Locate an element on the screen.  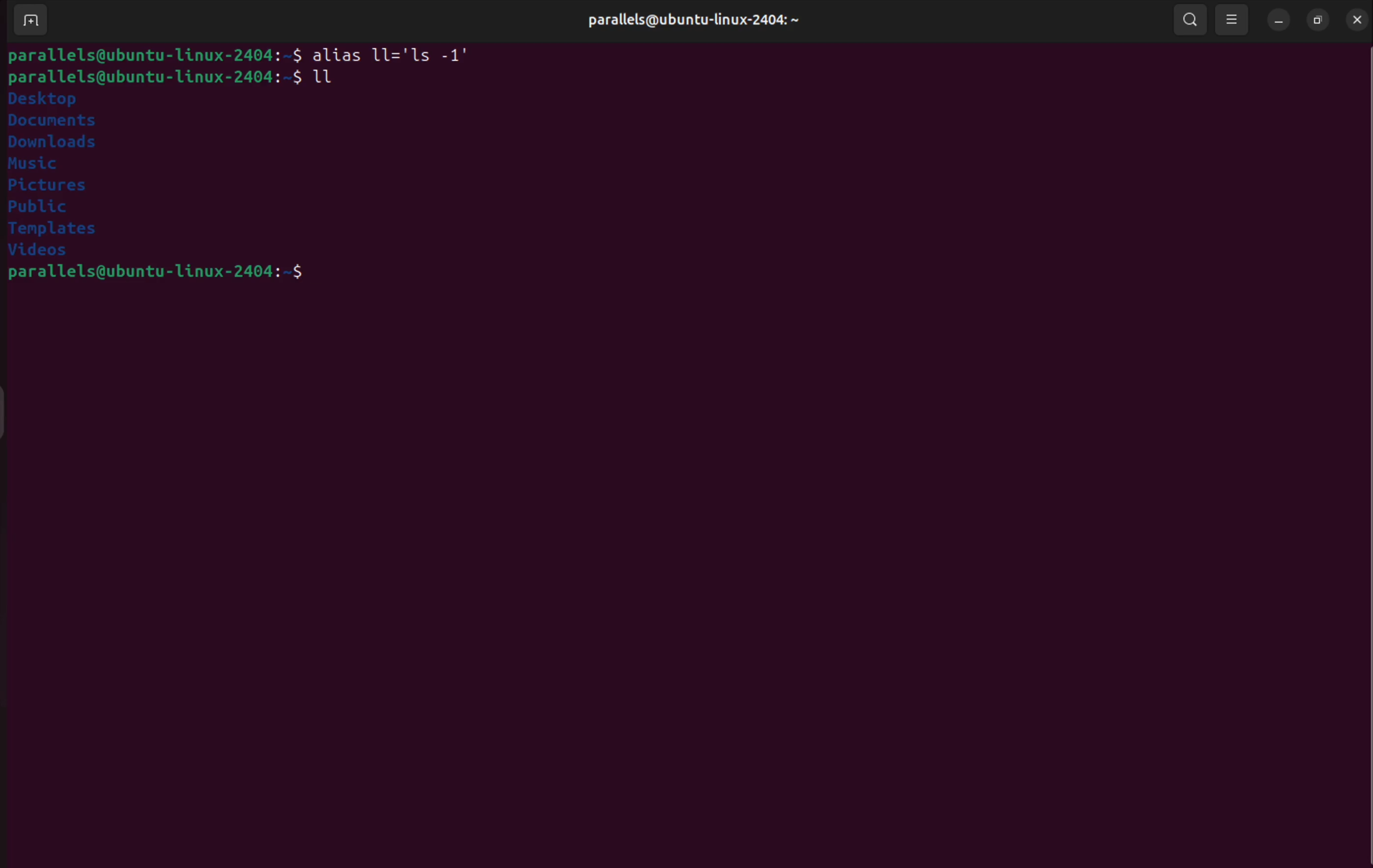
bash prompt is located at coordinates (156, 275).